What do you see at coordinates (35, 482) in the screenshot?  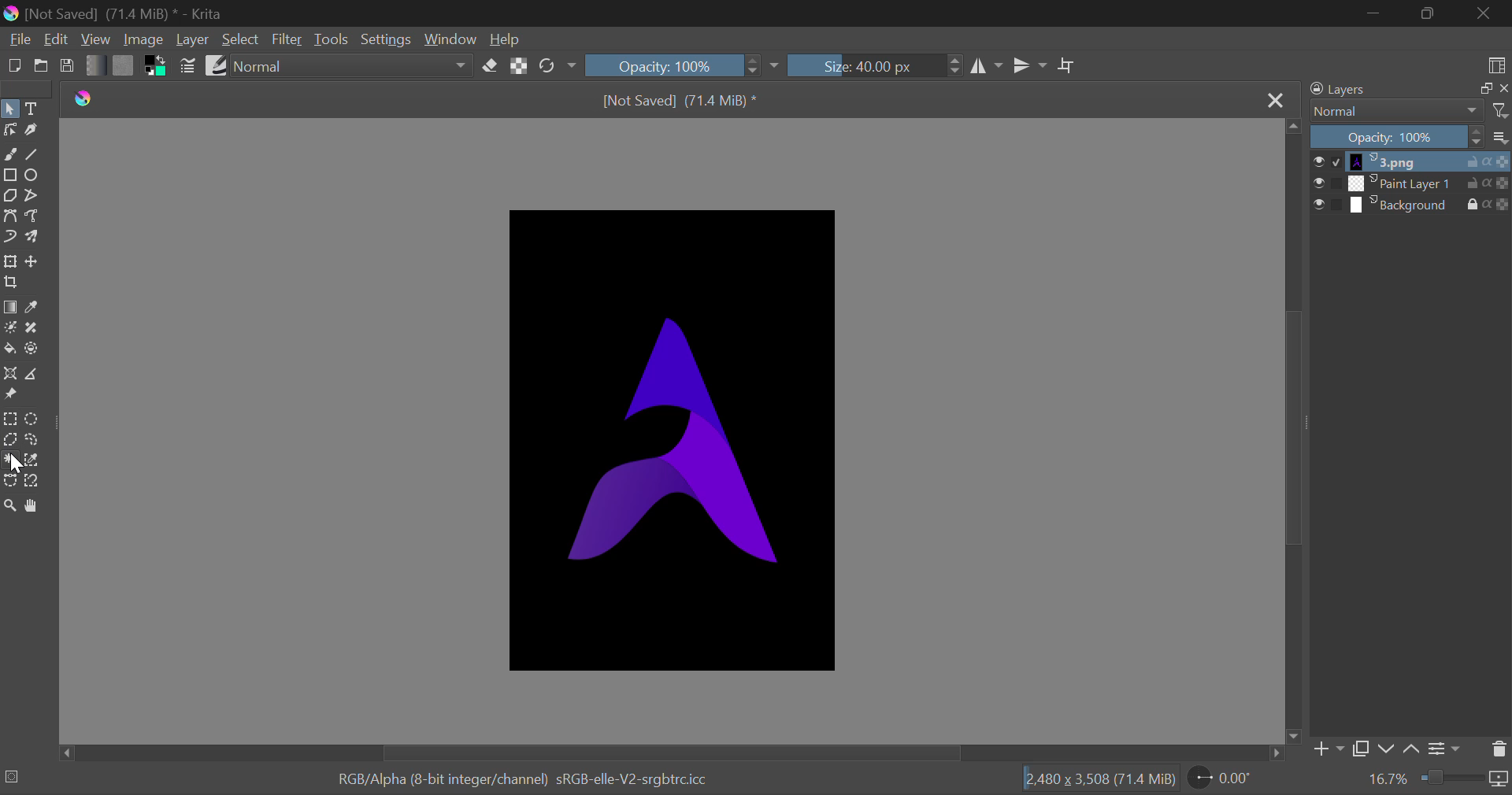 I see `Magnetic Curve Selection` at bounding box center [35, 482].